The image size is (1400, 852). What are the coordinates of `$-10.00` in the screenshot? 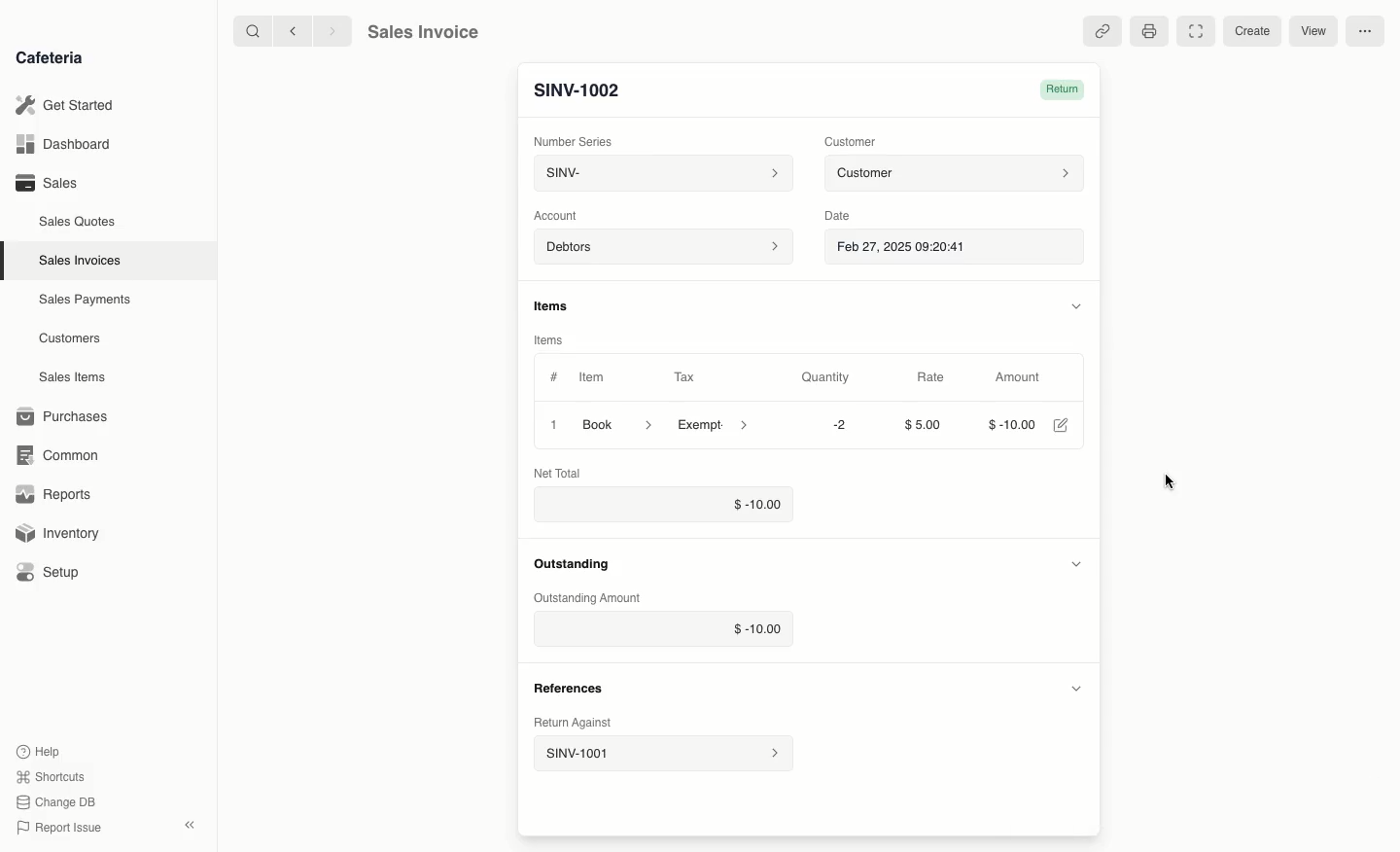 It's located at (665, 506).